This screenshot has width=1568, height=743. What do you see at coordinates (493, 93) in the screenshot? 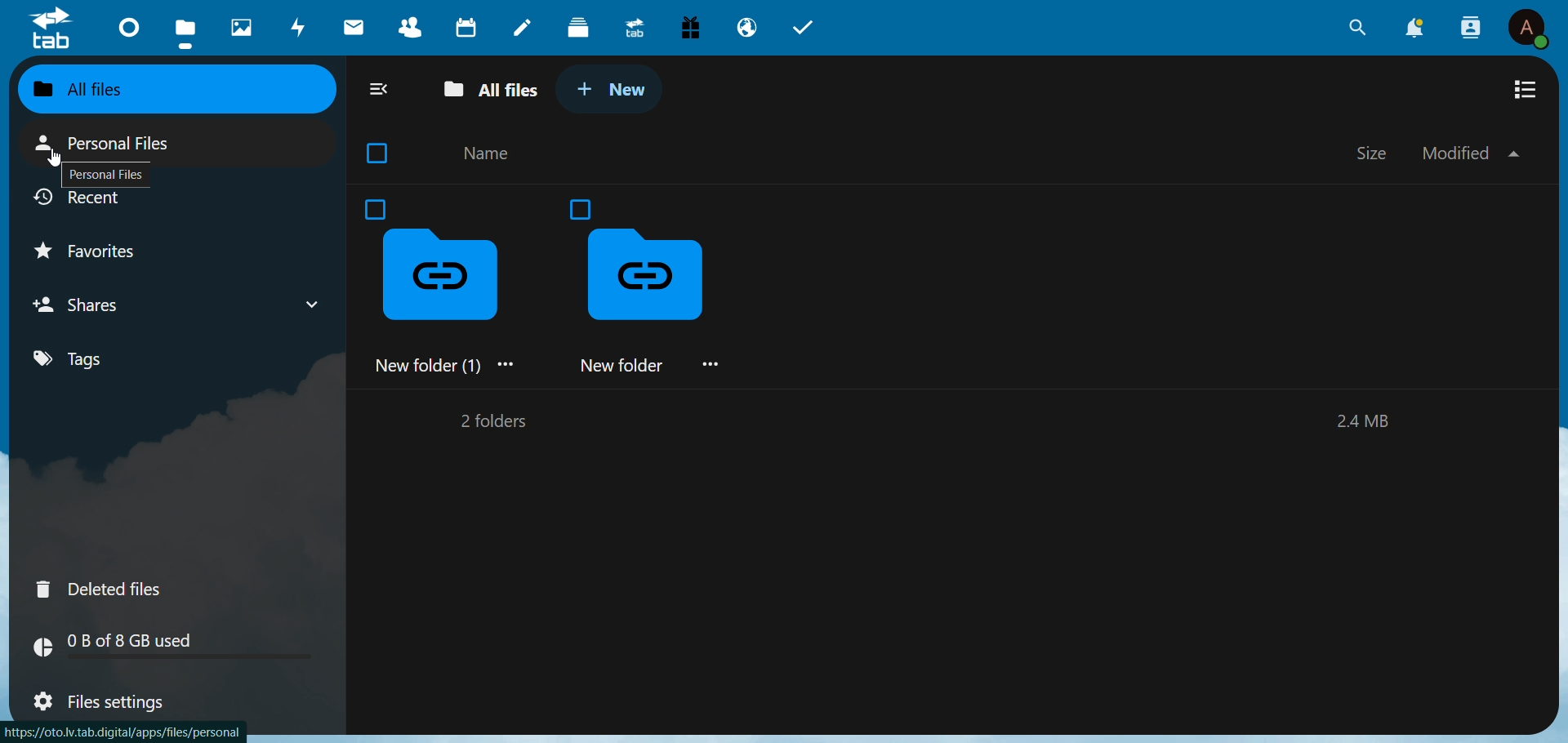
I see `all files` at bounding box center [493, 93].